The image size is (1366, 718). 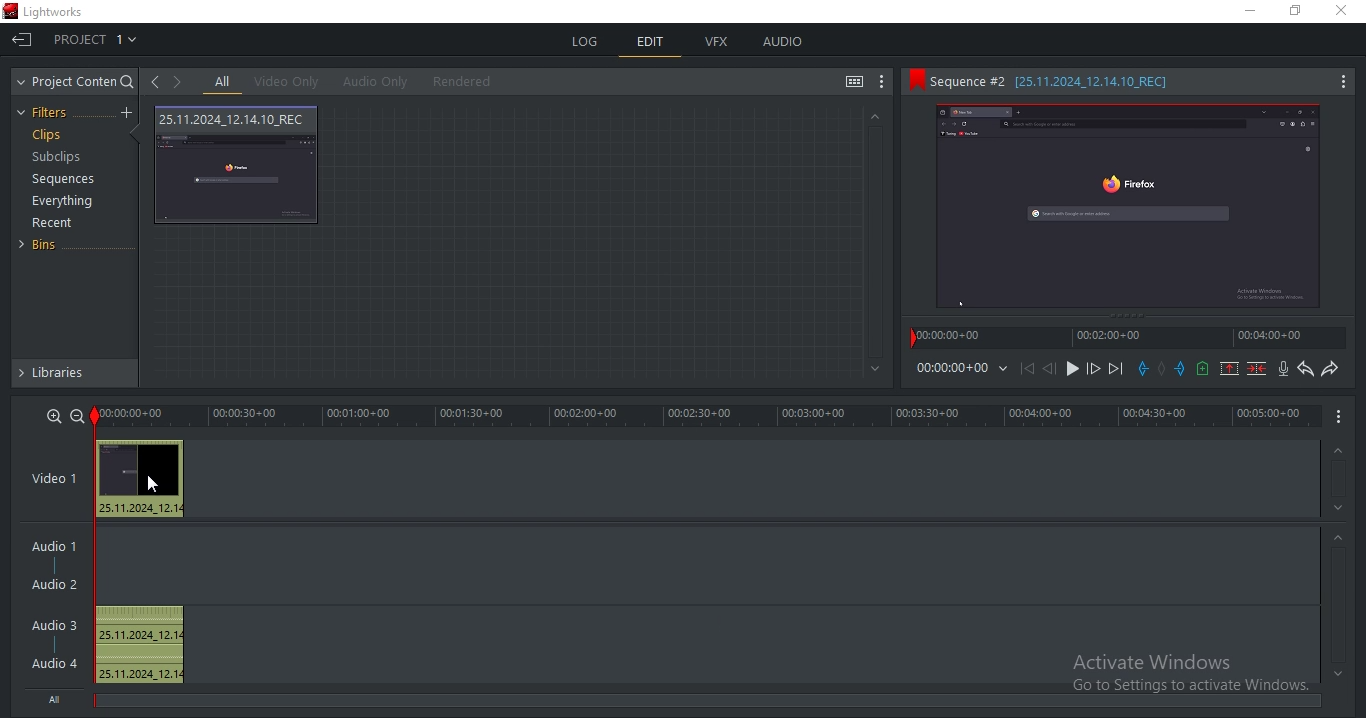 I want to click on audio, so click(x=783, y=42).